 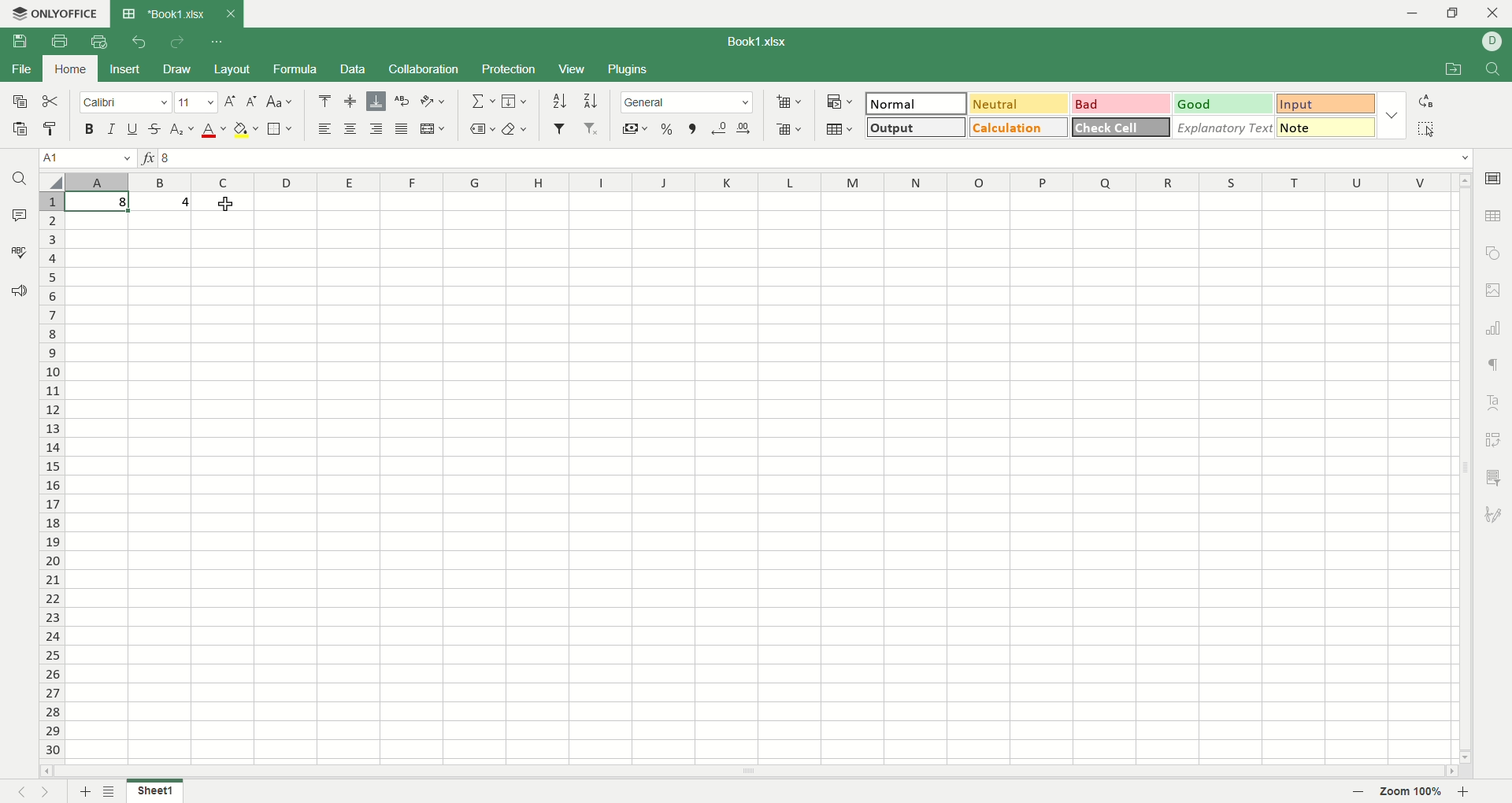 What do you see at coordinates (669, 129) in the screenshot?
I see `percent format` at bounding box center [669, 129].